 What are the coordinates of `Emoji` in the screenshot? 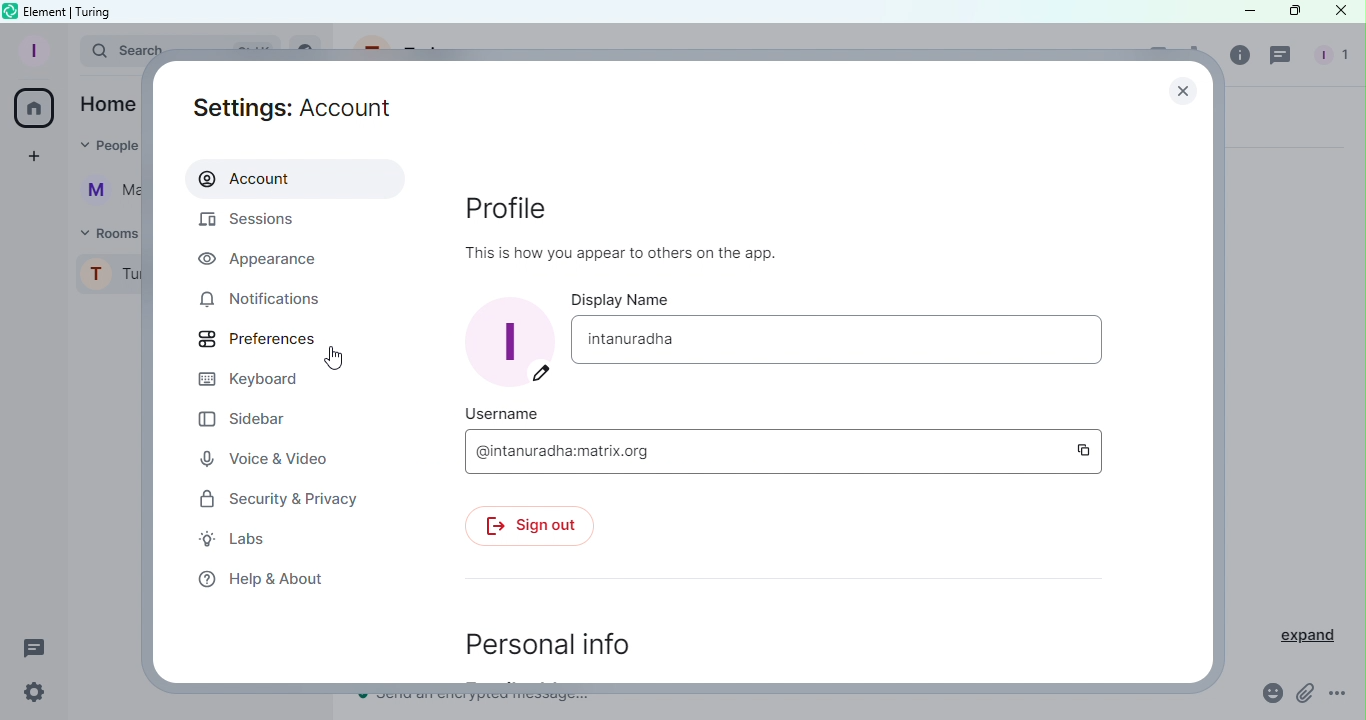 It's located at (1265, 694).